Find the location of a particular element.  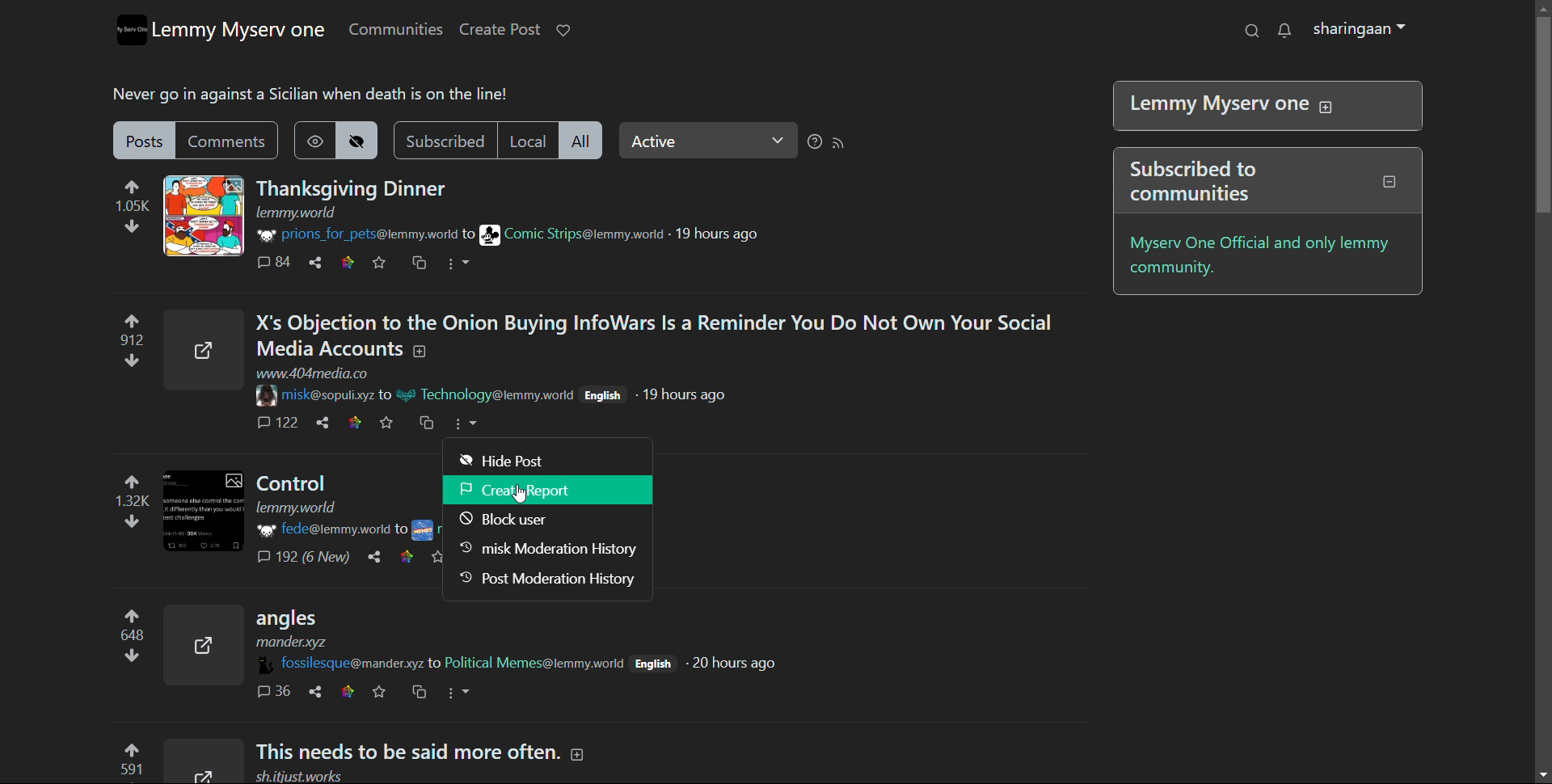

Post on "angles" is located at coordinates (436, 630).